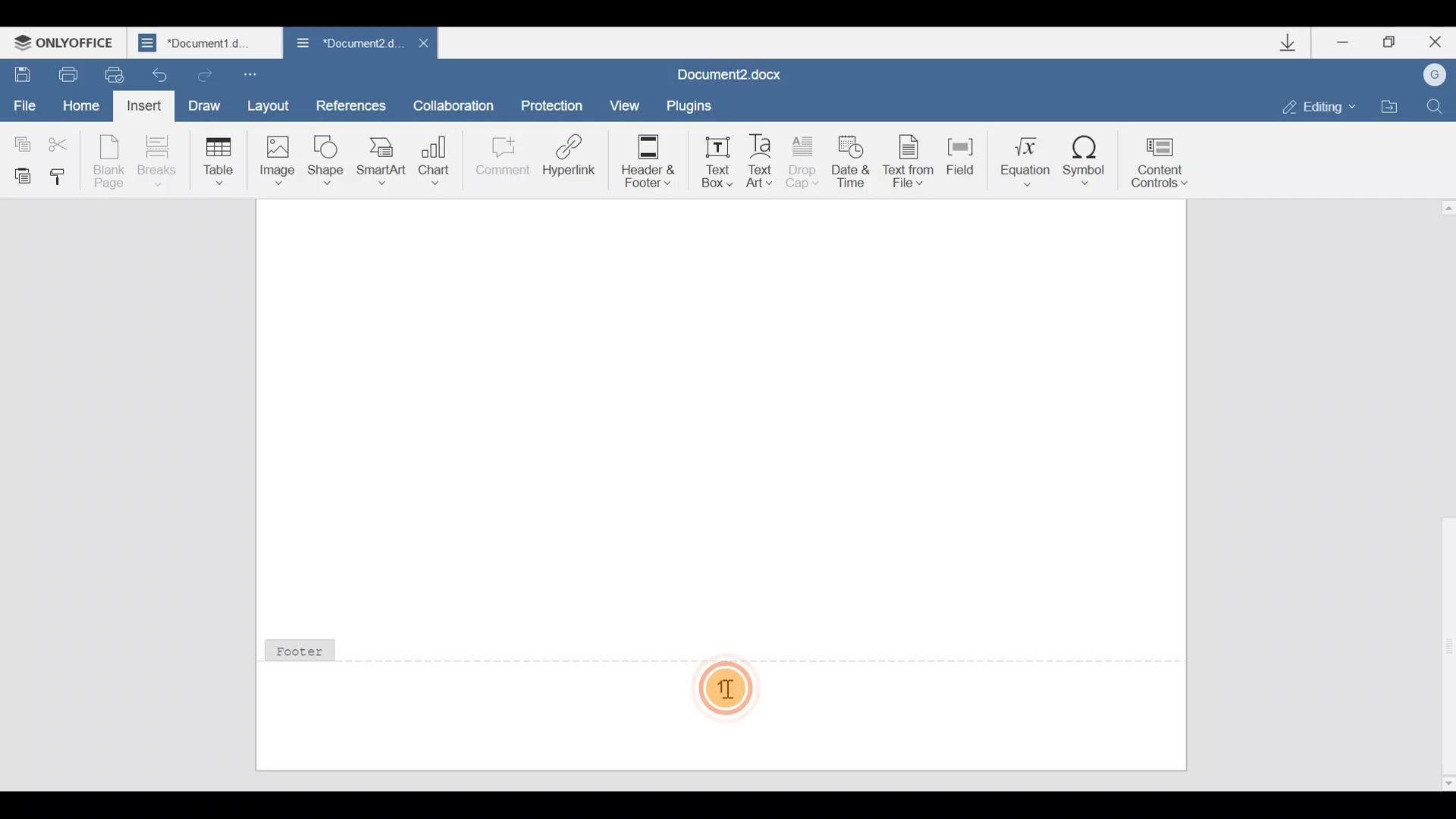  I want to click on Collaboration, so click(459, 104).